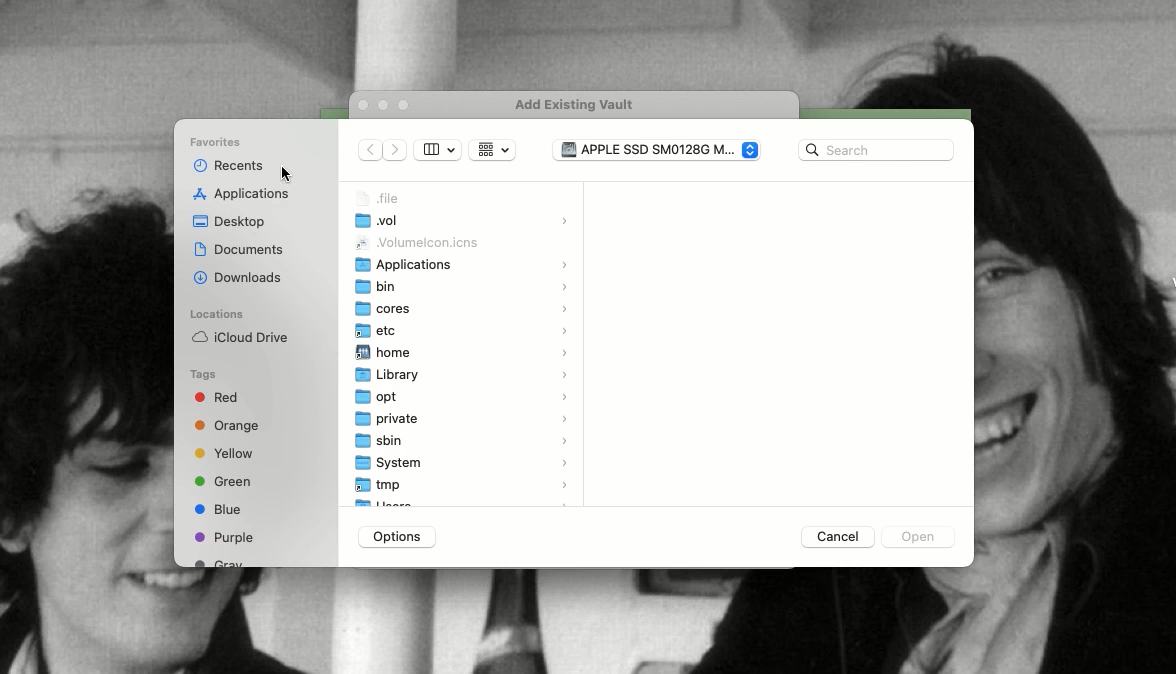  I want to click on .vol, so click(462, 222).